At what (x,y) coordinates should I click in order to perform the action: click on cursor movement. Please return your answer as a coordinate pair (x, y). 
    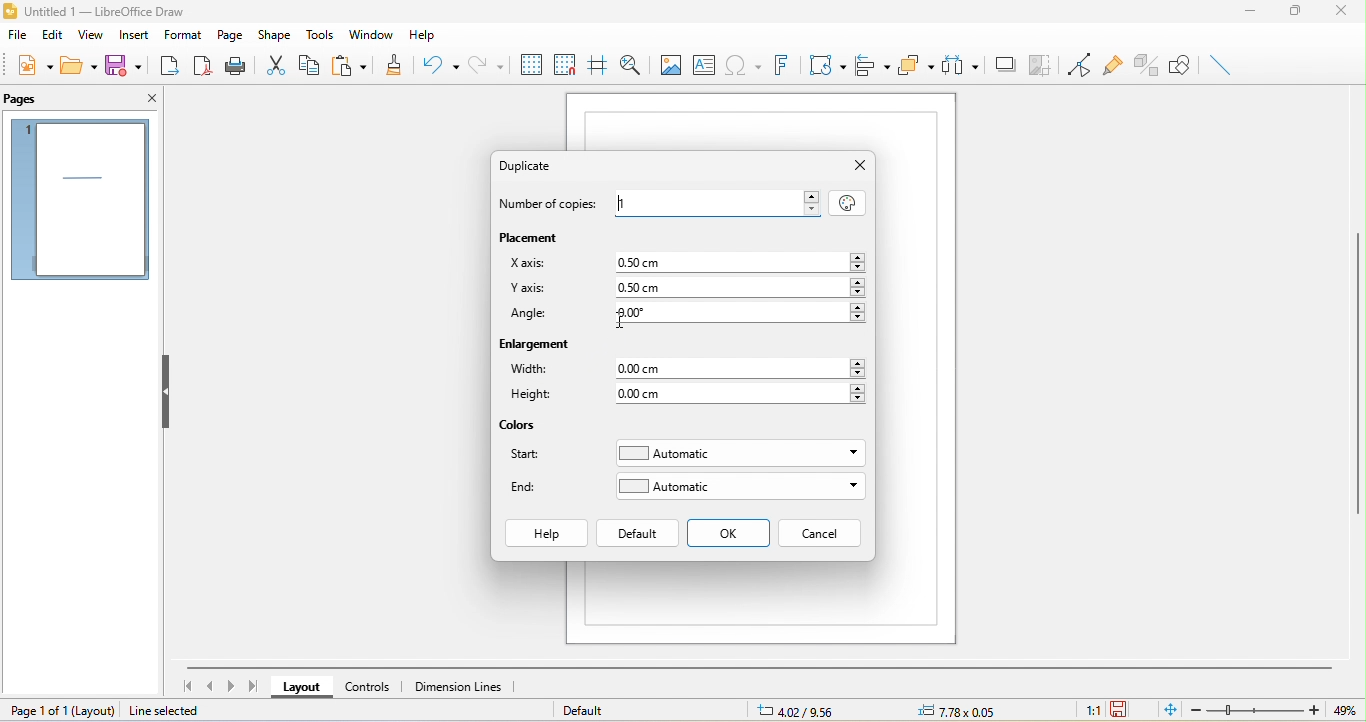
    Looking at the image, I should click on (625, 320).